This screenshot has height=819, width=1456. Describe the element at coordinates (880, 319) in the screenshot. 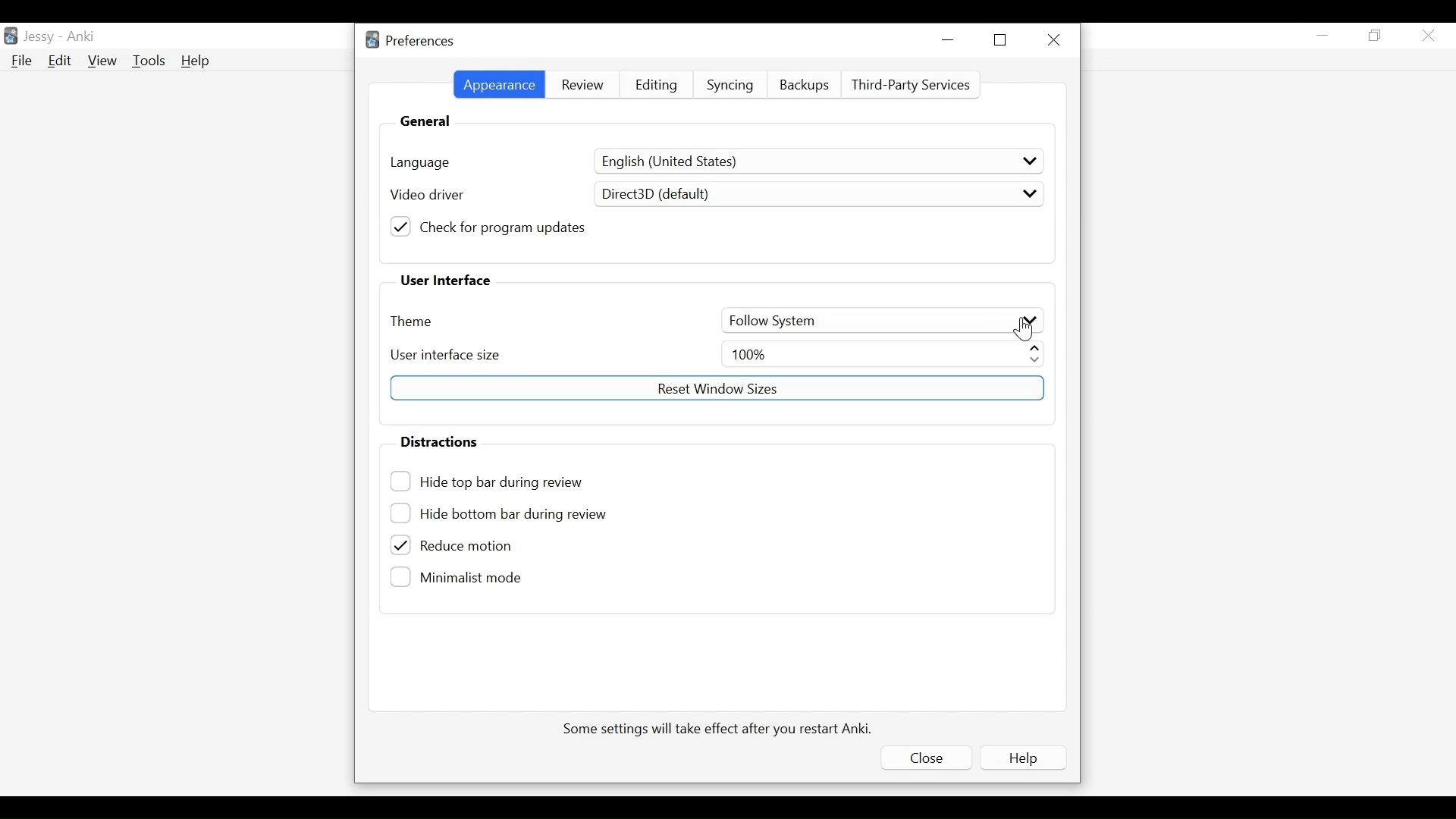

I see `Follow system ` at that location.